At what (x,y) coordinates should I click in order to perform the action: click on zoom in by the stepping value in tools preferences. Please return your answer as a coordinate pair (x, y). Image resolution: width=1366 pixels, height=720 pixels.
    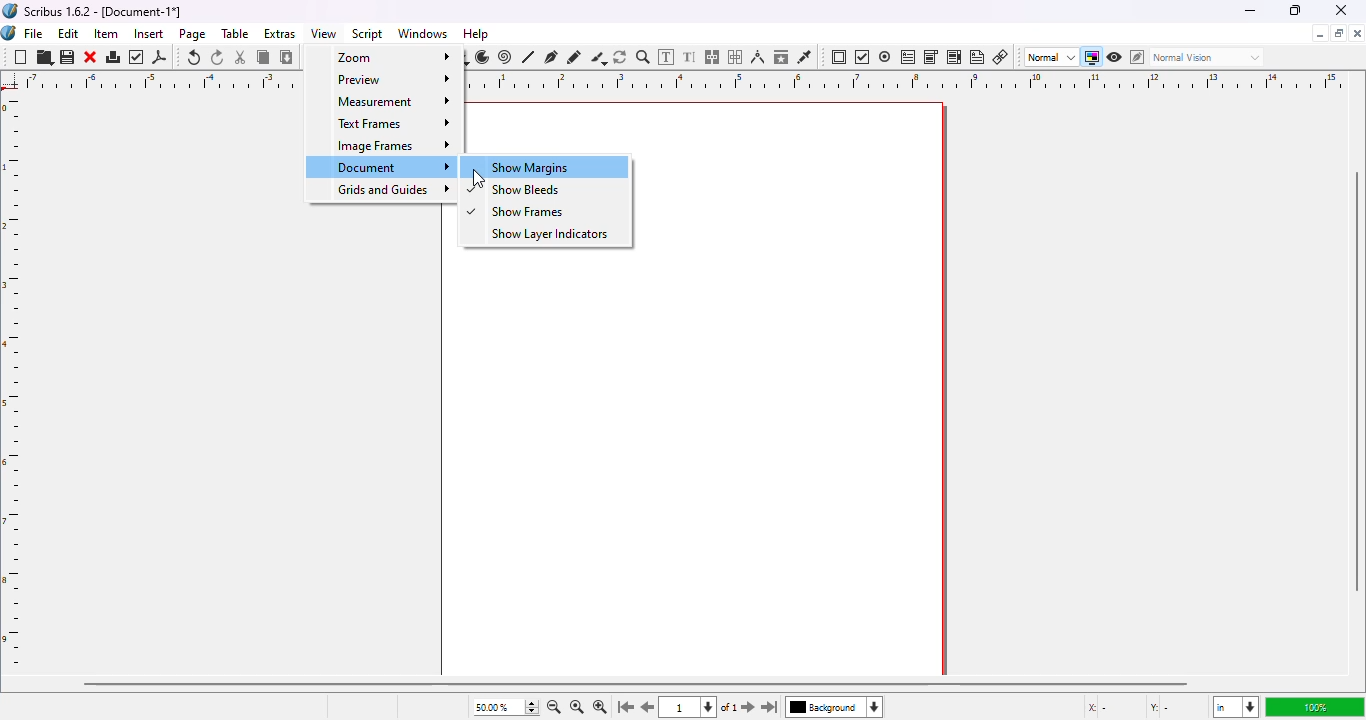
    Looking at the image, I should click on (599, 708).